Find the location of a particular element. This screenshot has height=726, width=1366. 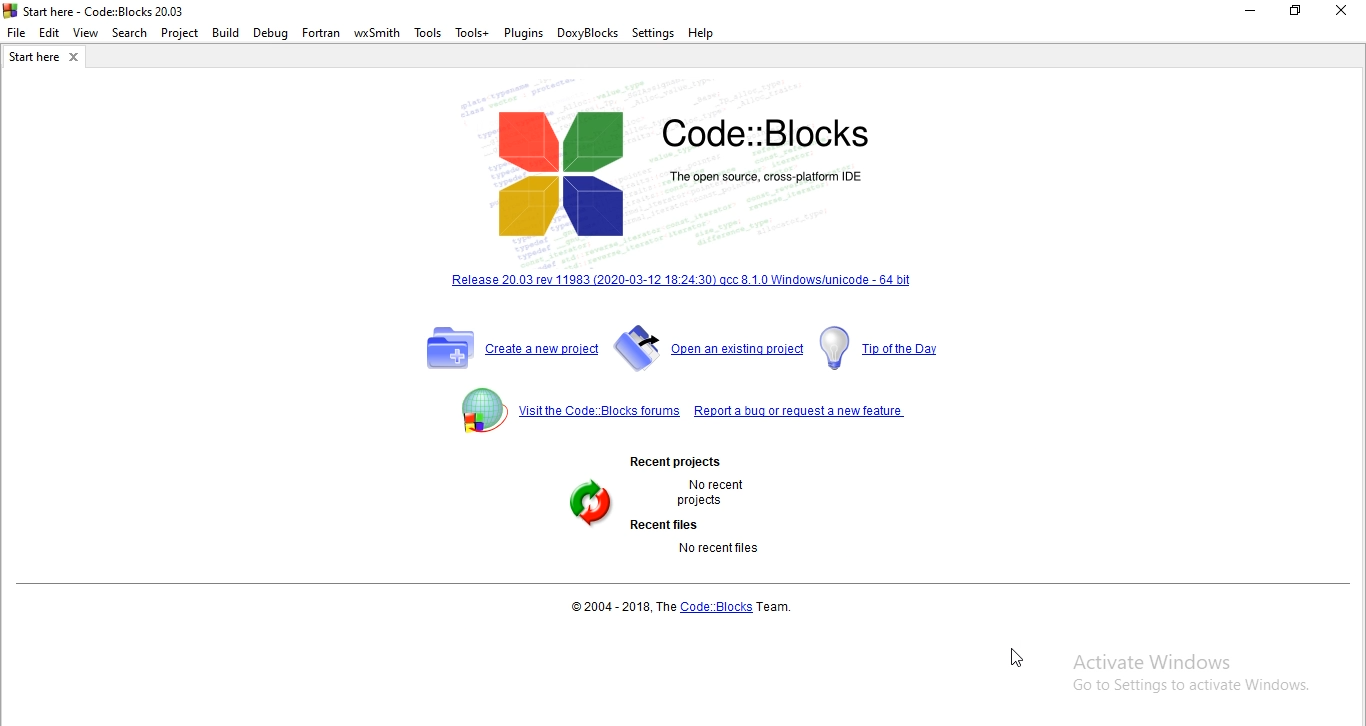

The open source cross-platform IDE is located at coordinates (762, 174).